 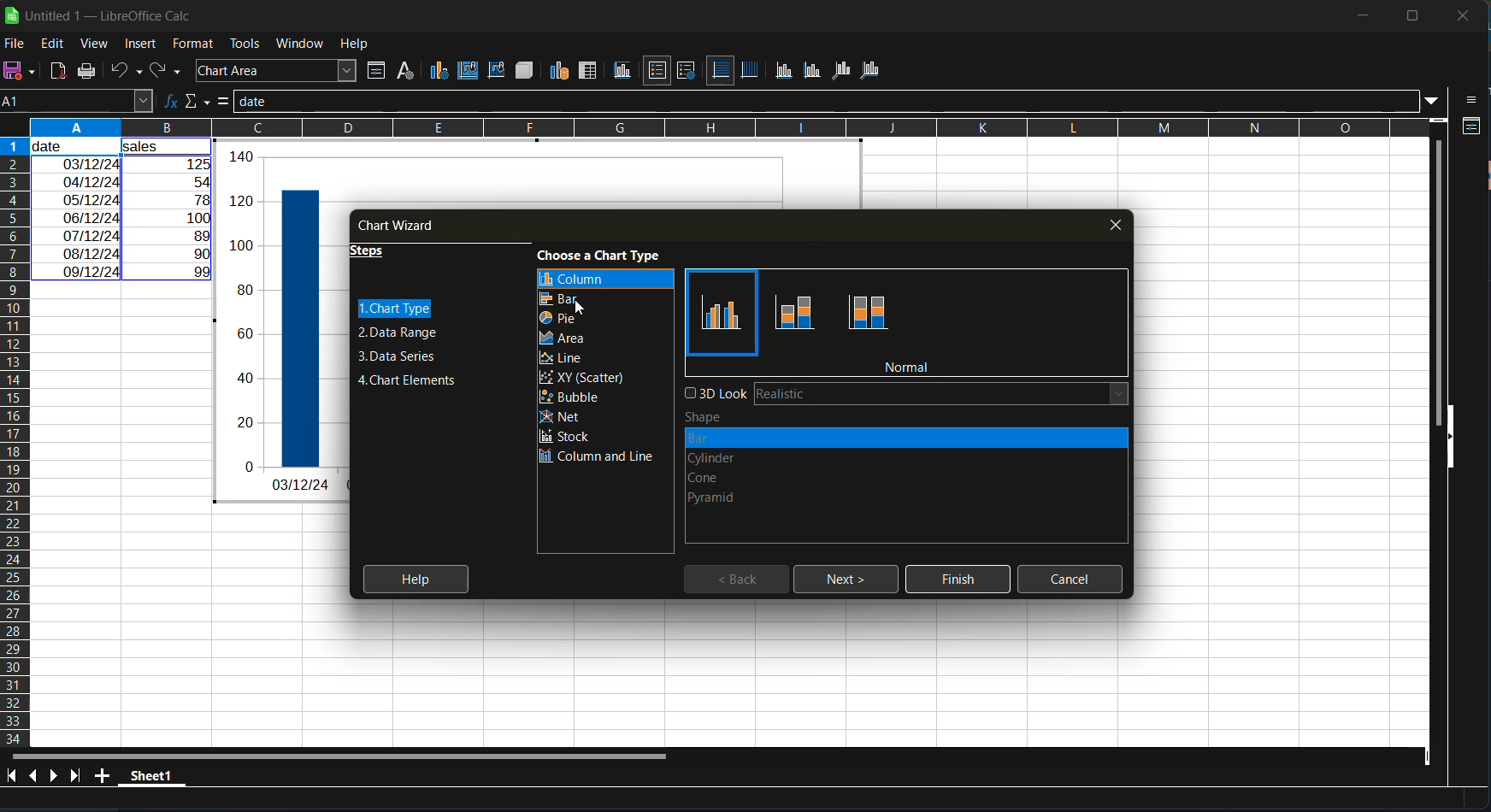 I want to click on select chart element, so click(x=280, y=70).